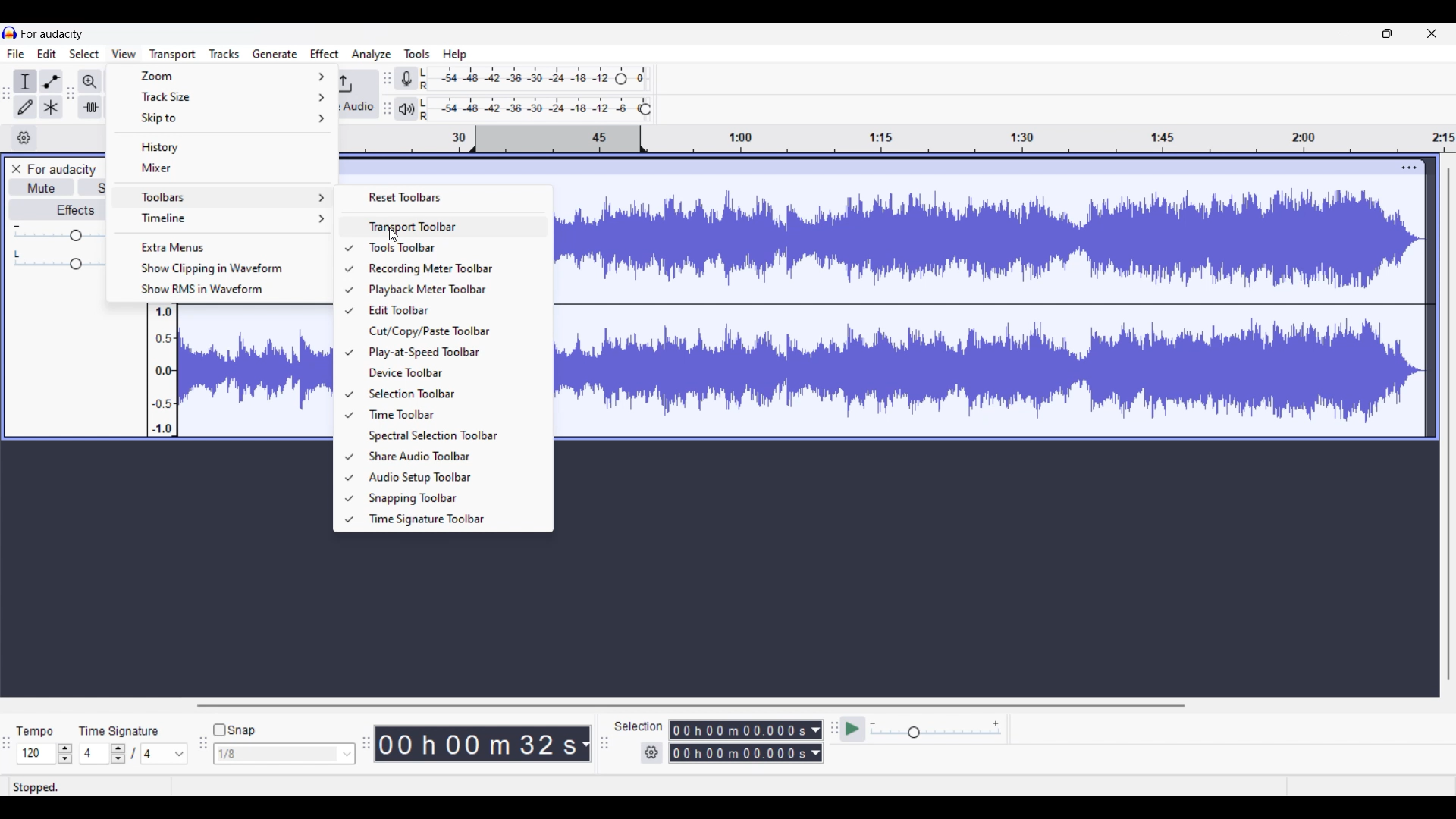 The width and height of the screenshot is (1456, 819). What do you see at coordinates (124, 53) in the screenshot?
I see `View menu` at bounding box center [124, 53].